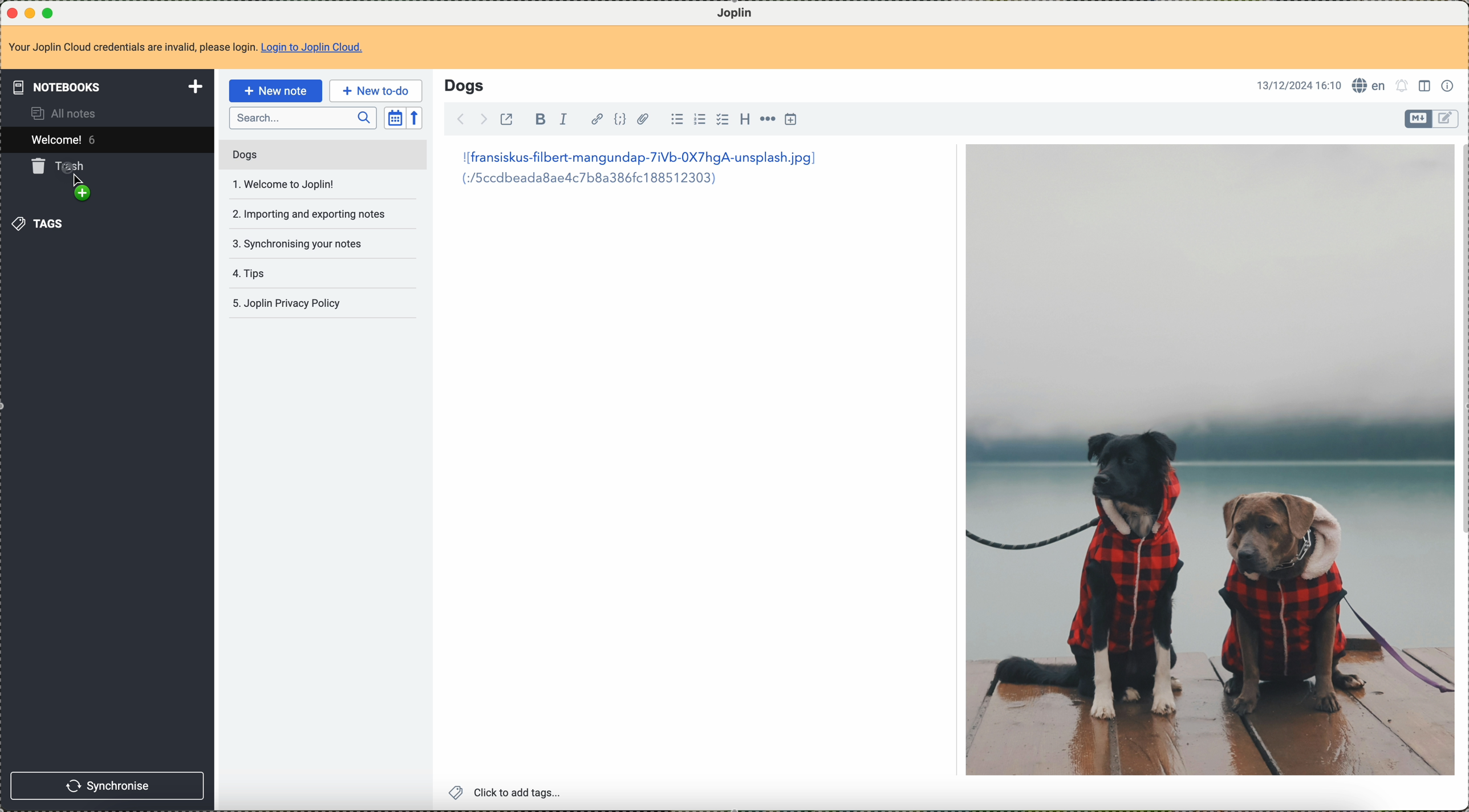 The image size is (1469, 812). Describe the element at coordinates (642, 169) in the screenshot. I see `|[fransiskus-filbert-mangundap-7iVb-0X7hgA-unsplash.jpg]
(:/5ccdbeada8ae4c7b8a386fc188512303)` at that location.